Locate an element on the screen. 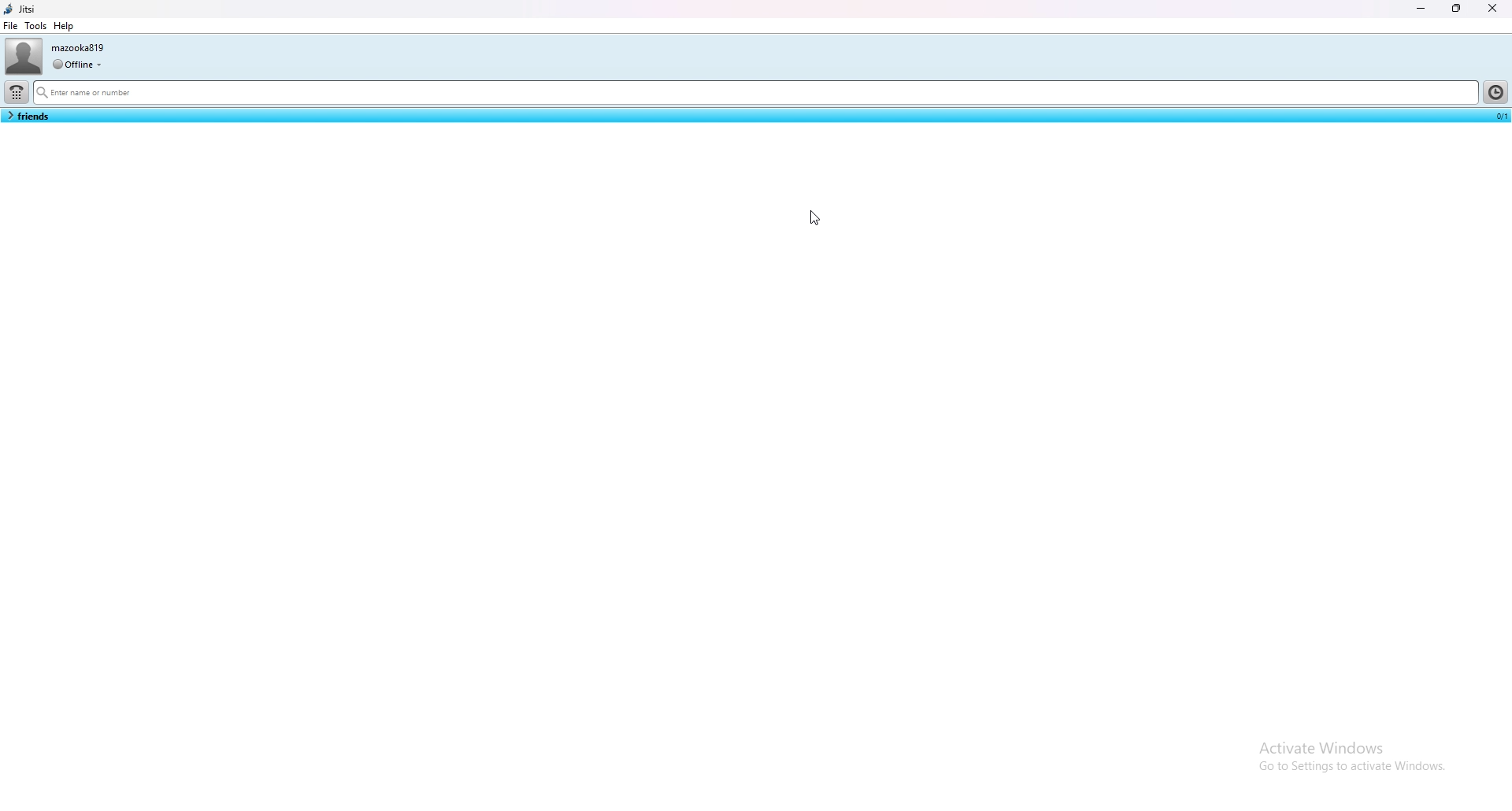 The width and height of the screenshot is (1512, 811). user status is located at coordinates (77, 64).